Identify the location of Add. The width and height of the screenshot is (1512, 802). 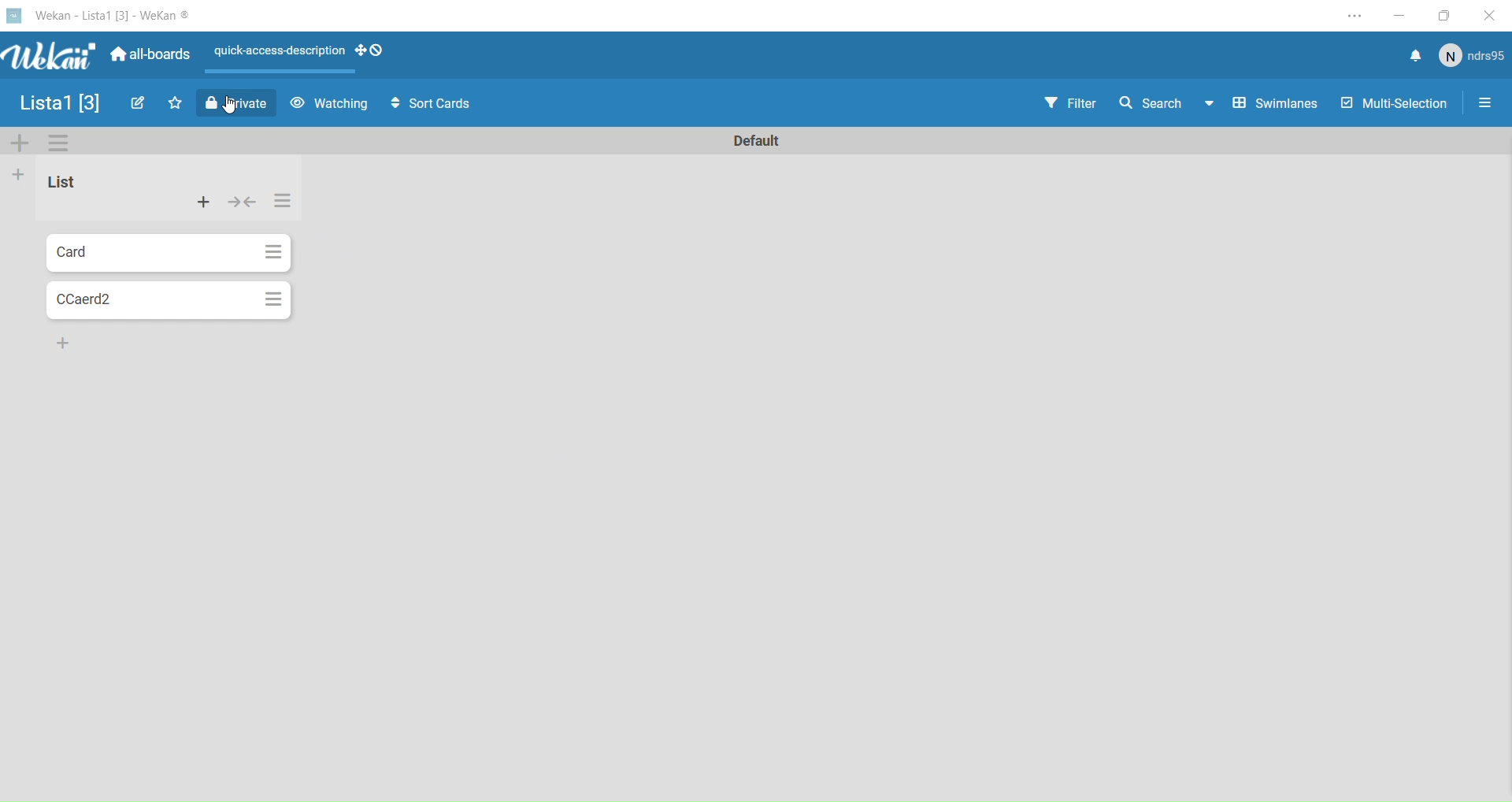
(19, 176).